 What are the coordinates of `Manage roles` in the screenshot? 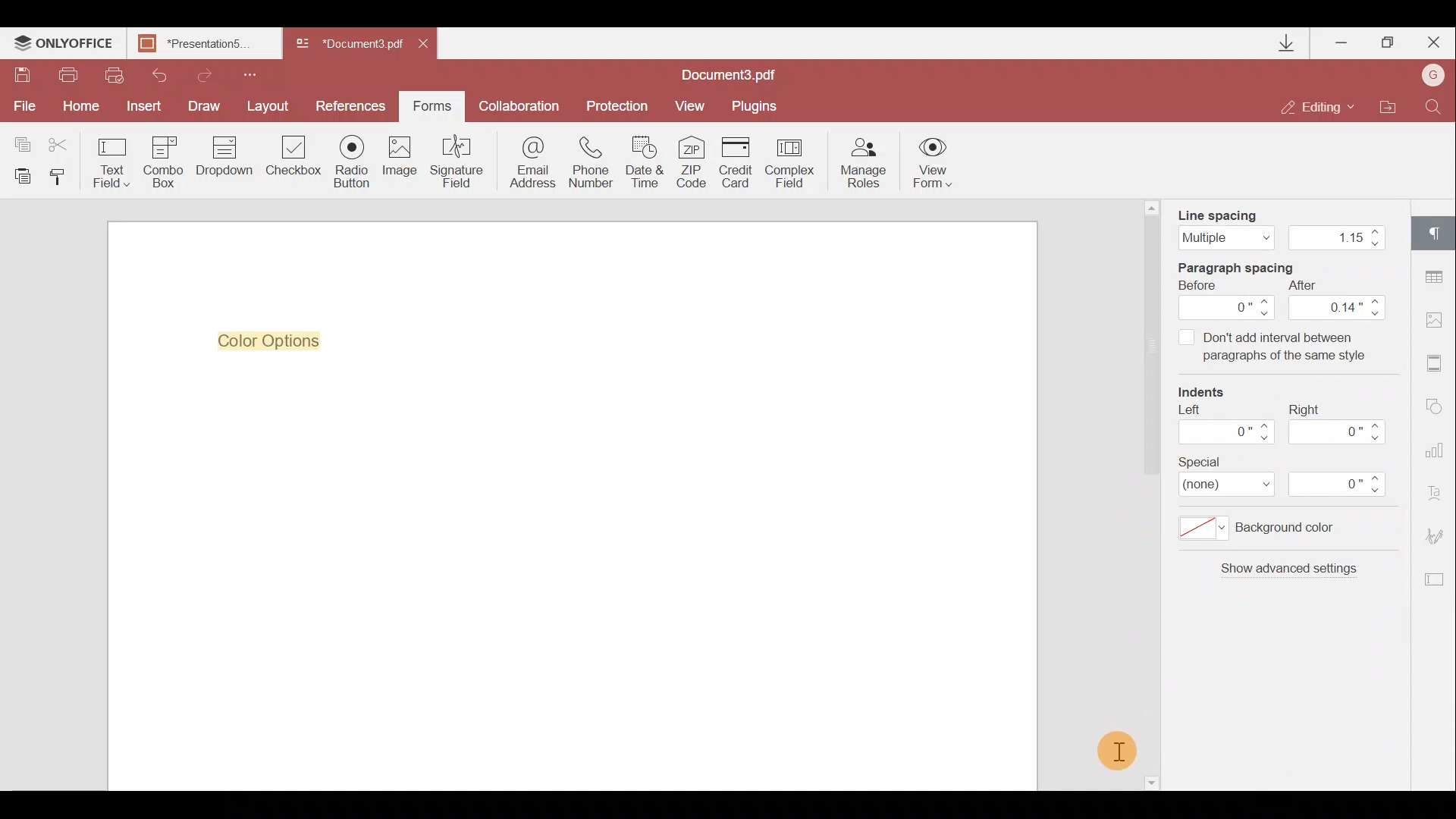 It's located at (864, 163).